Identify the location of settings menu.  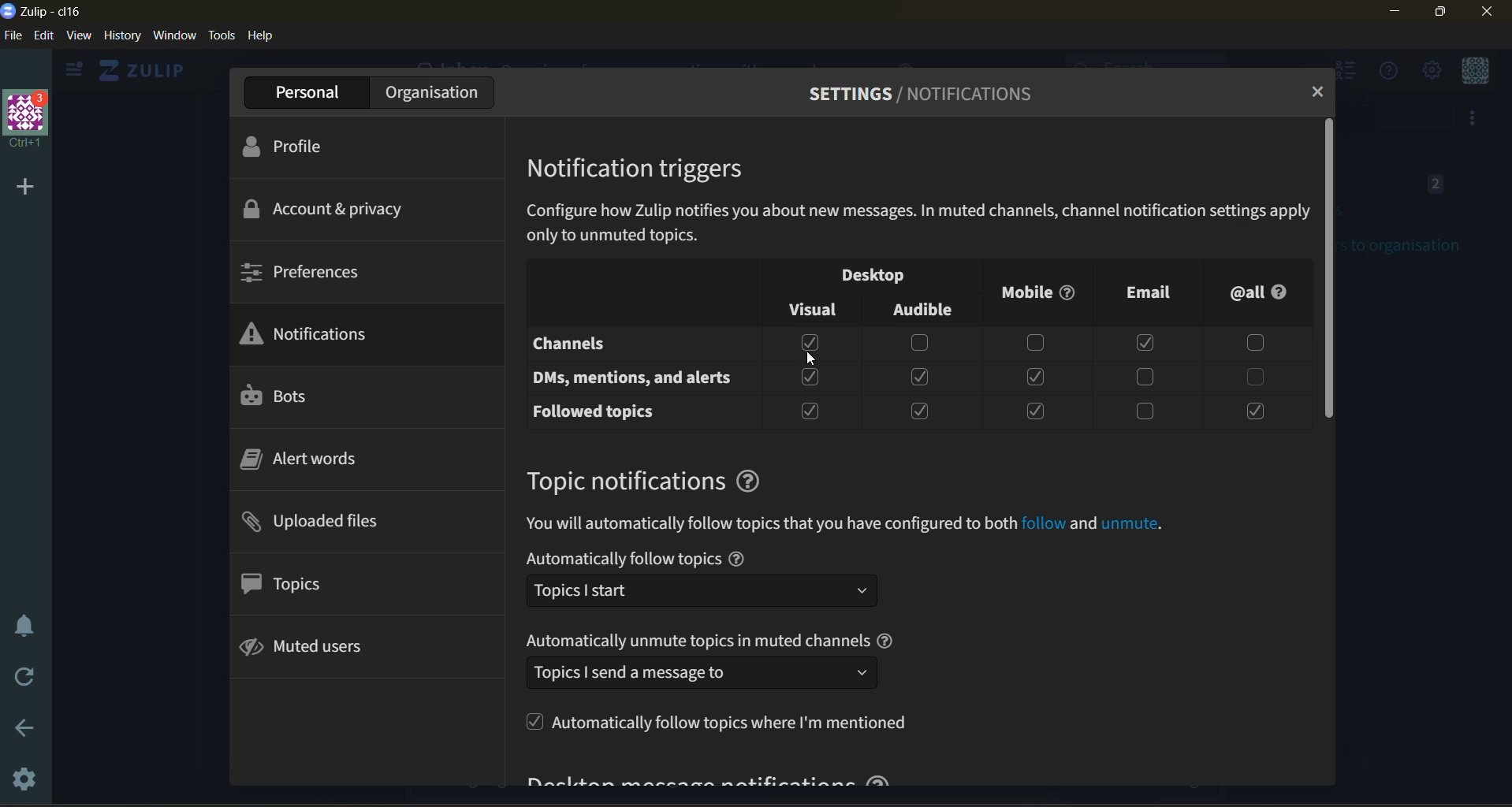
(1432, 71).